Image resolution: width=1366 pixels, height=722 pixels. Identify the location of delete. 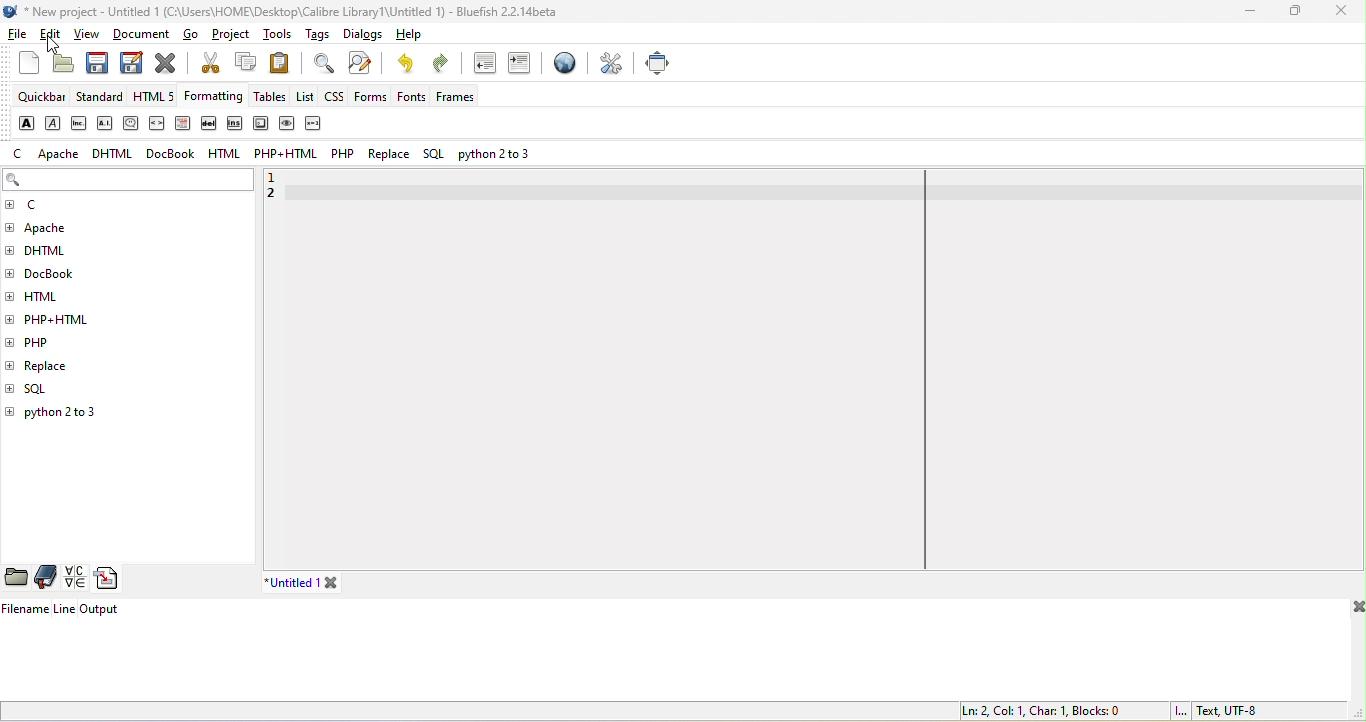
(210, 123).